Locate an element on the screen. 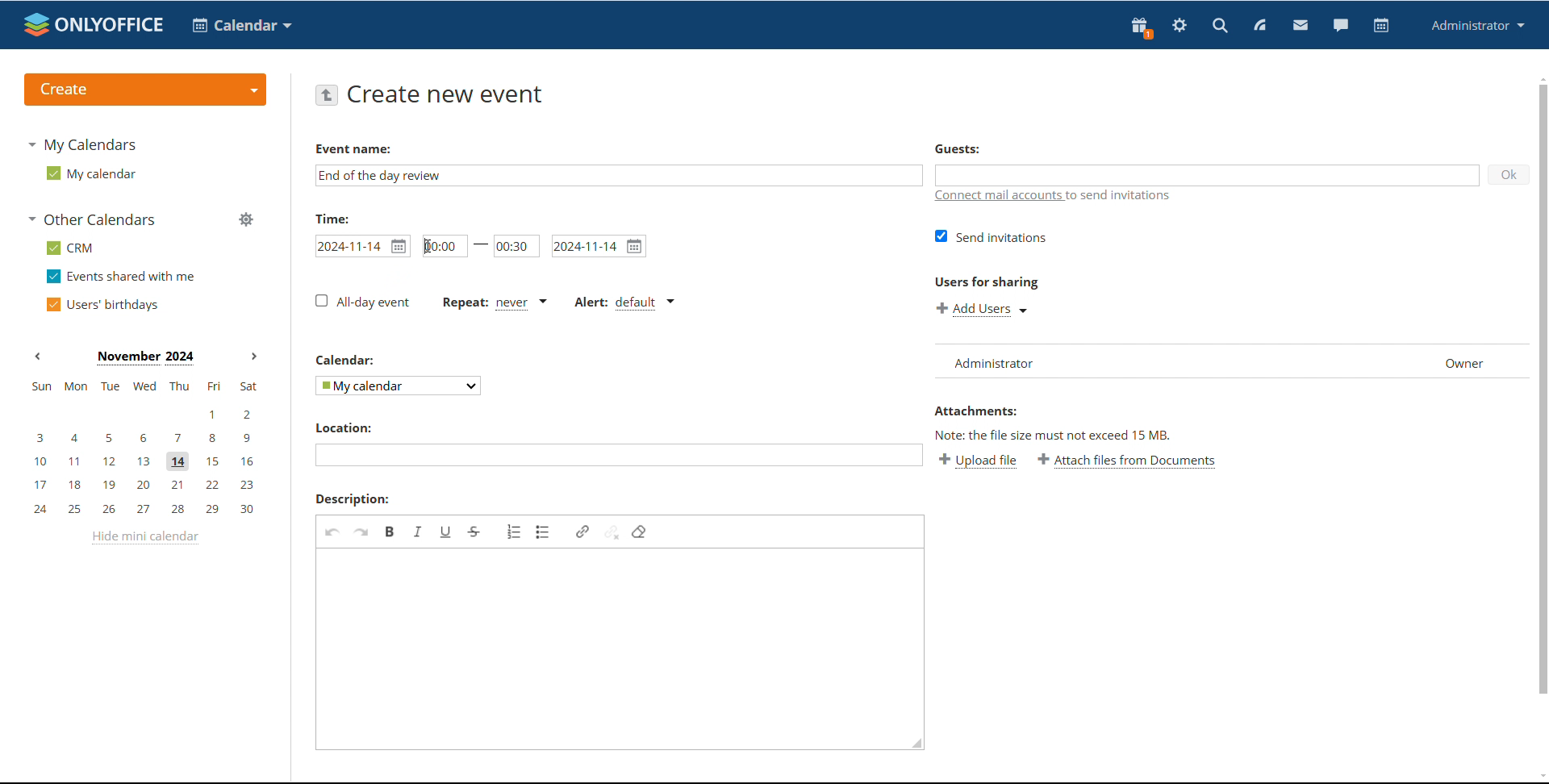  events shared with me is located at coordinates (123, 276).